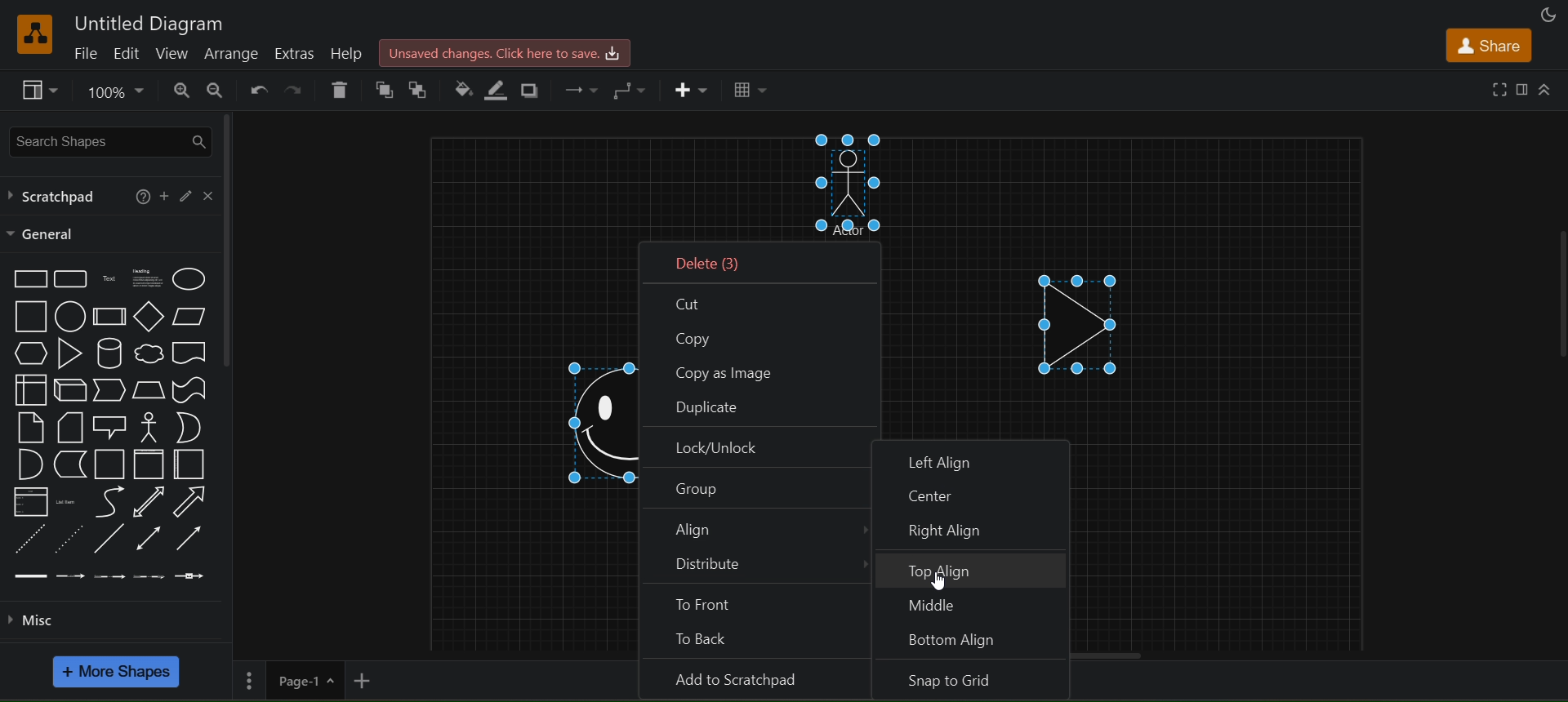 The width and height of the screenshot is (1568, 702). Describe the element at coordinates (461, 86) in the screenshot. I see `fill color ` at that location.